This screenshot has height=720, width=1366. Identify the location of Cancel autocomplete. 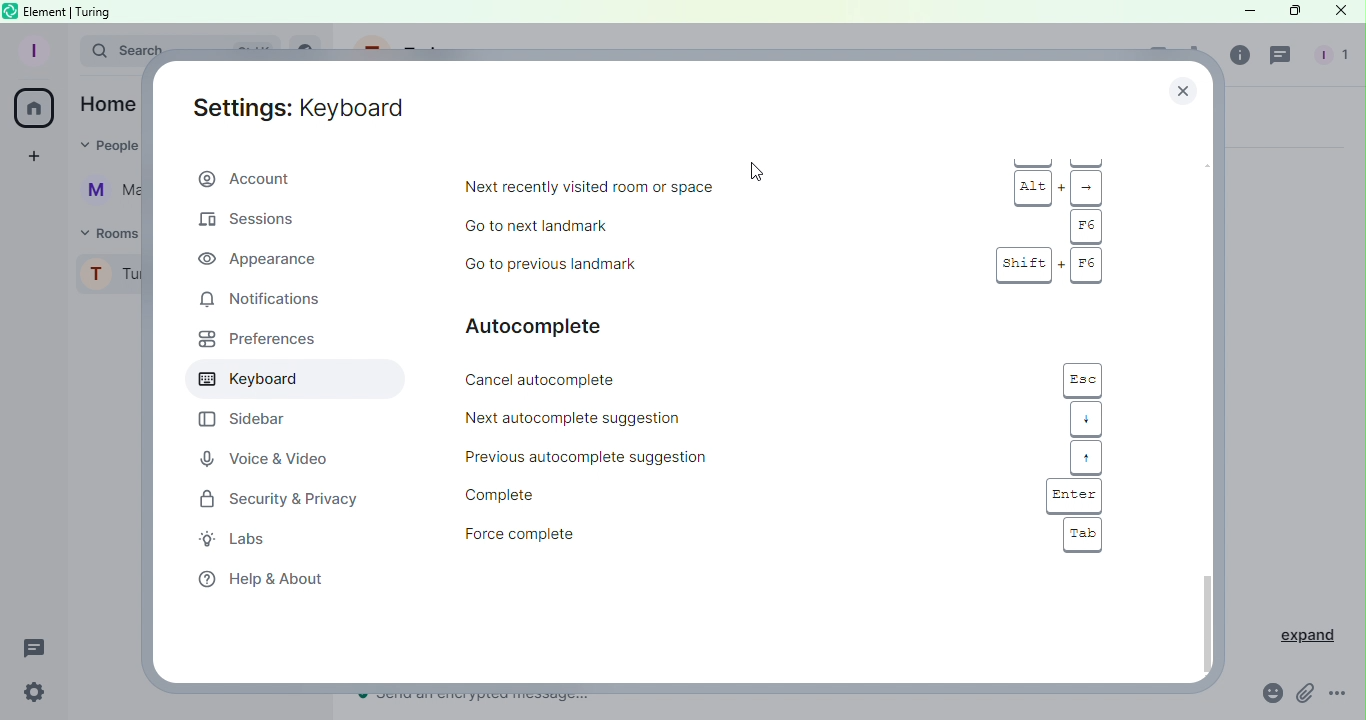
(666, 380).